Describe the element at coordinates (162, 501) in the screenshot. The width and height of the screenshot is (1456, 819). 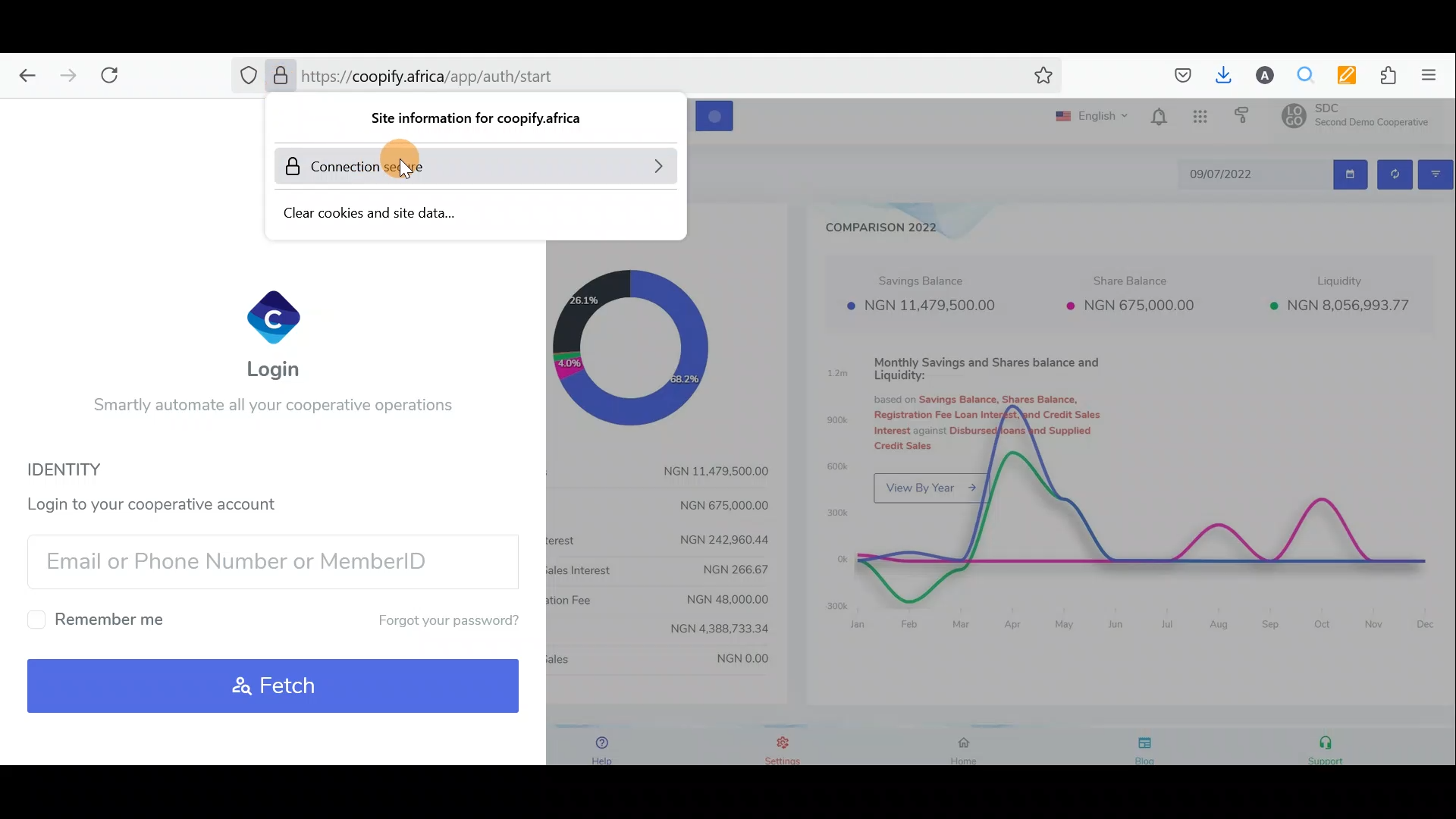
I see `Login to your cooperative account` at that location.